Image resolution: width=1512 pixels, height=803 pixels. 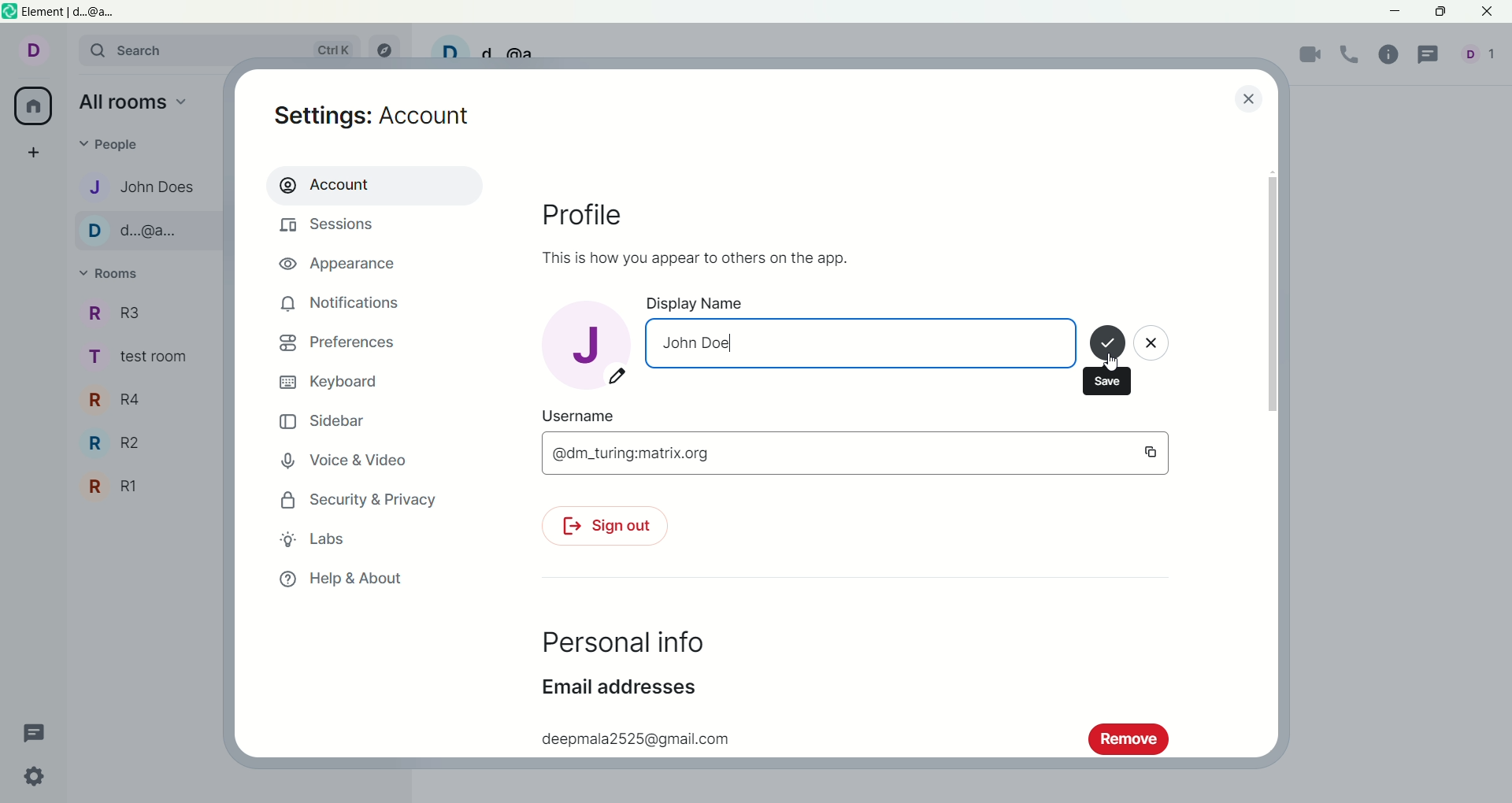 I want to click on personal info, so click(x=621, y=644).